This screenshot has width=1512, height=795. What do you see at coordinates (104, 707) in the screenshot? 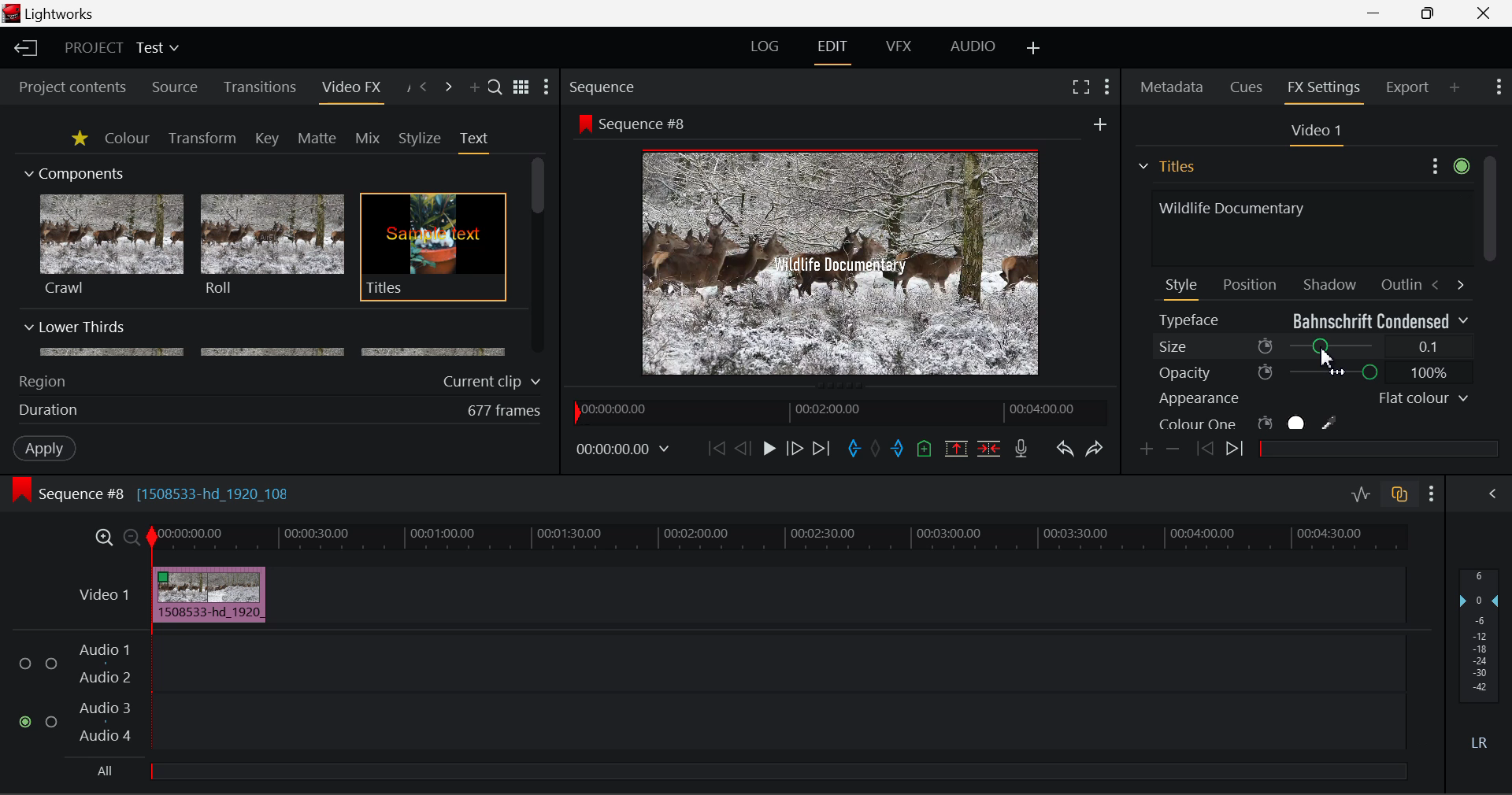
I see `Audio 3` at bounding box center [104, 707].